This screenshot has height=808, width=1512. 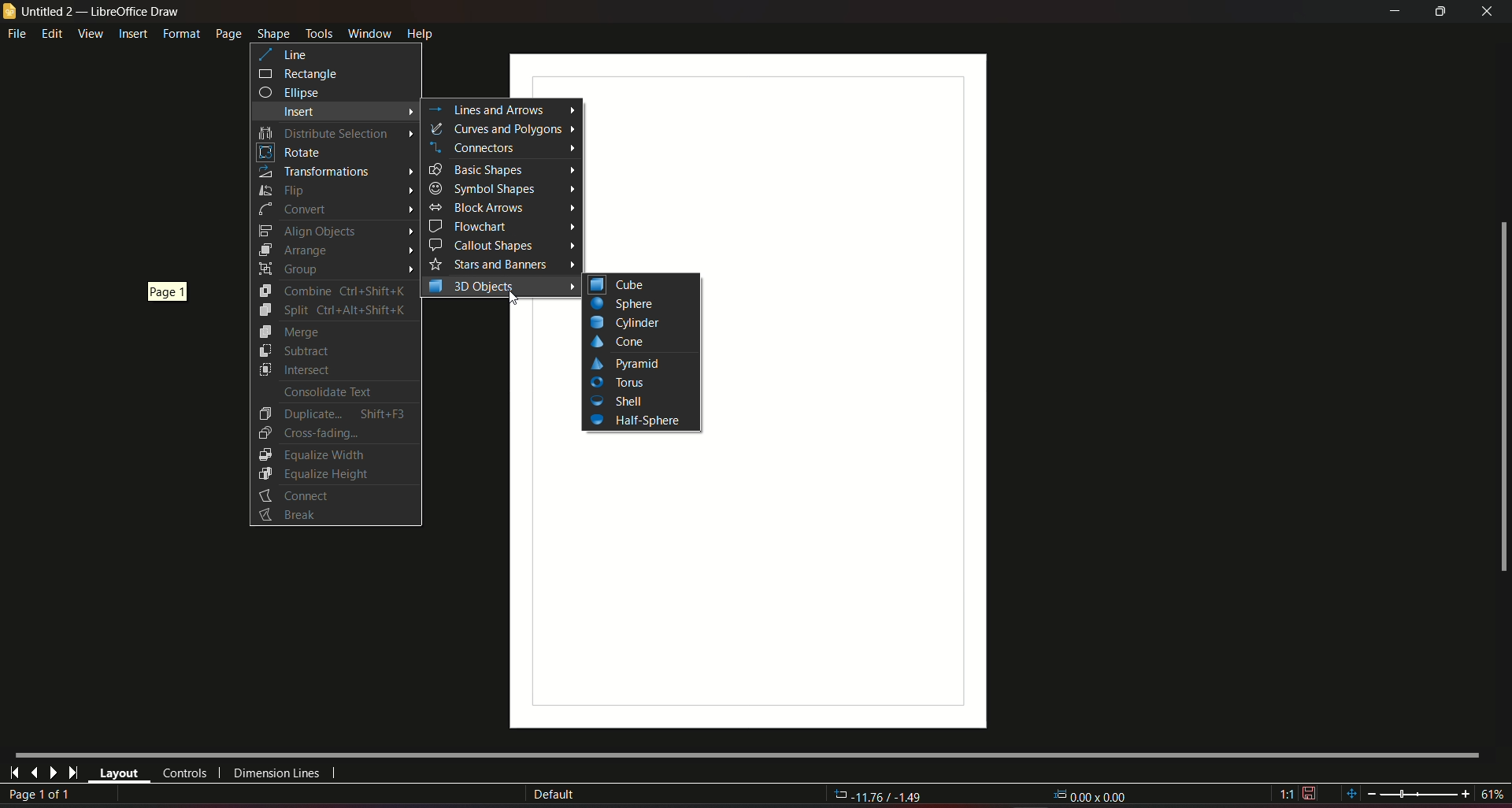 I want to click on tools, so click(x=318, y=32).